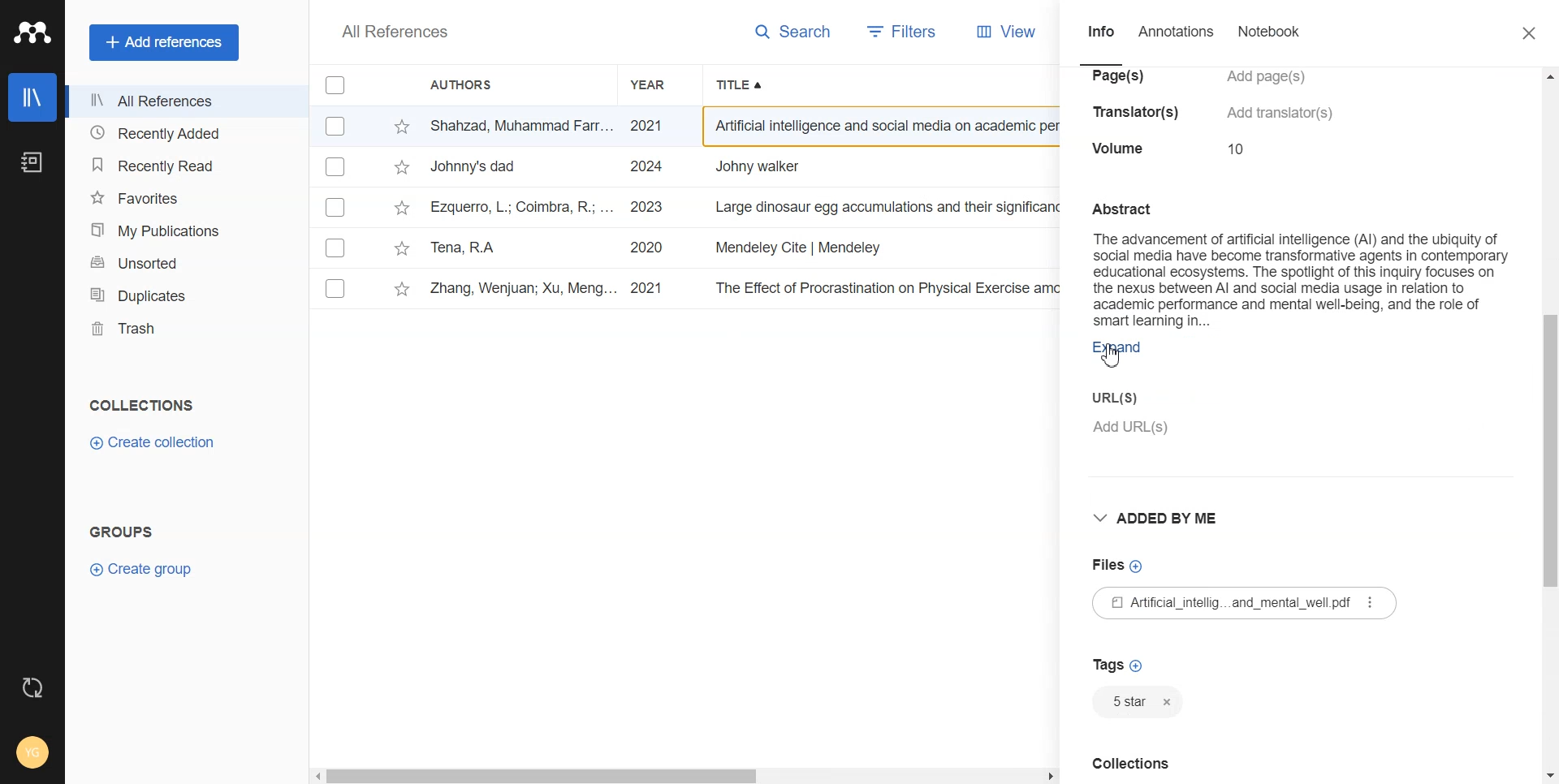 This screenshot has width=1559, height=784. I want to click on Tena, RA 2020 Mendeley Cite | Mendeley Revista INVI 12/18/2024, so click(669, 248).